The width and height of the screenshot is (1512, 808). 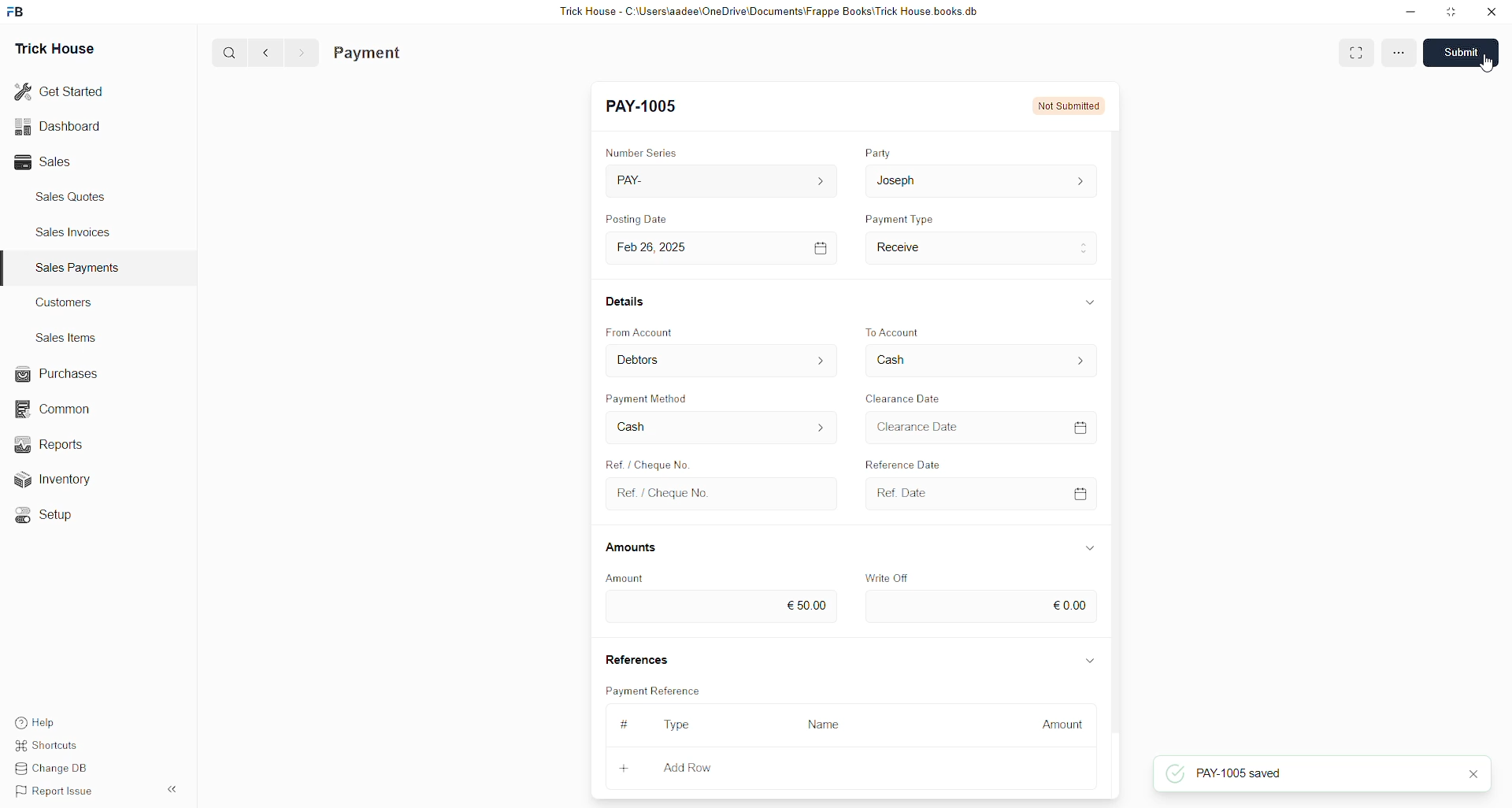 I want to click on Report Issue, so click(x=57, y=791).